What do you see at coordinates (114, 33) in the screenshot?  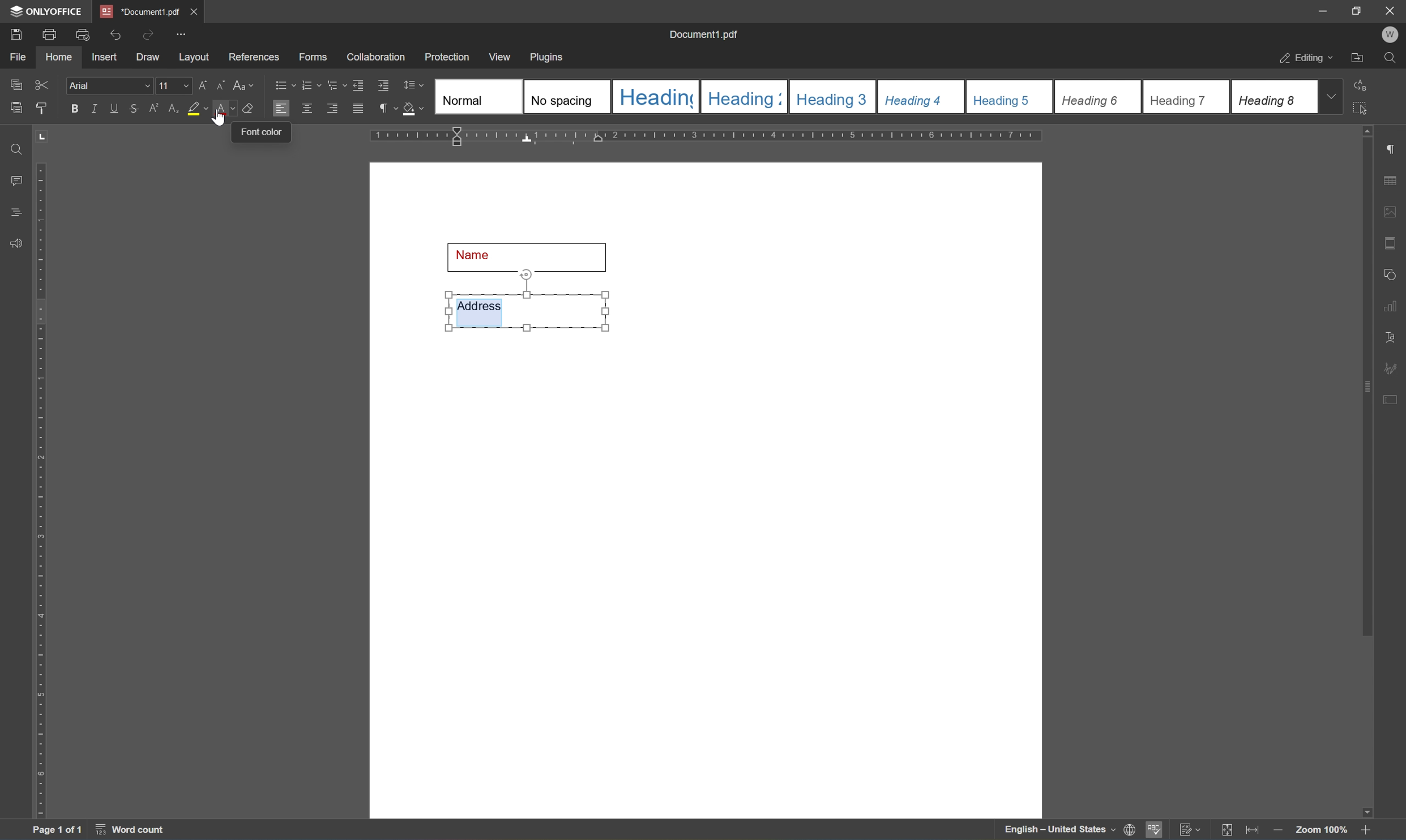 I see `undo` at bounding box center [114, 33].